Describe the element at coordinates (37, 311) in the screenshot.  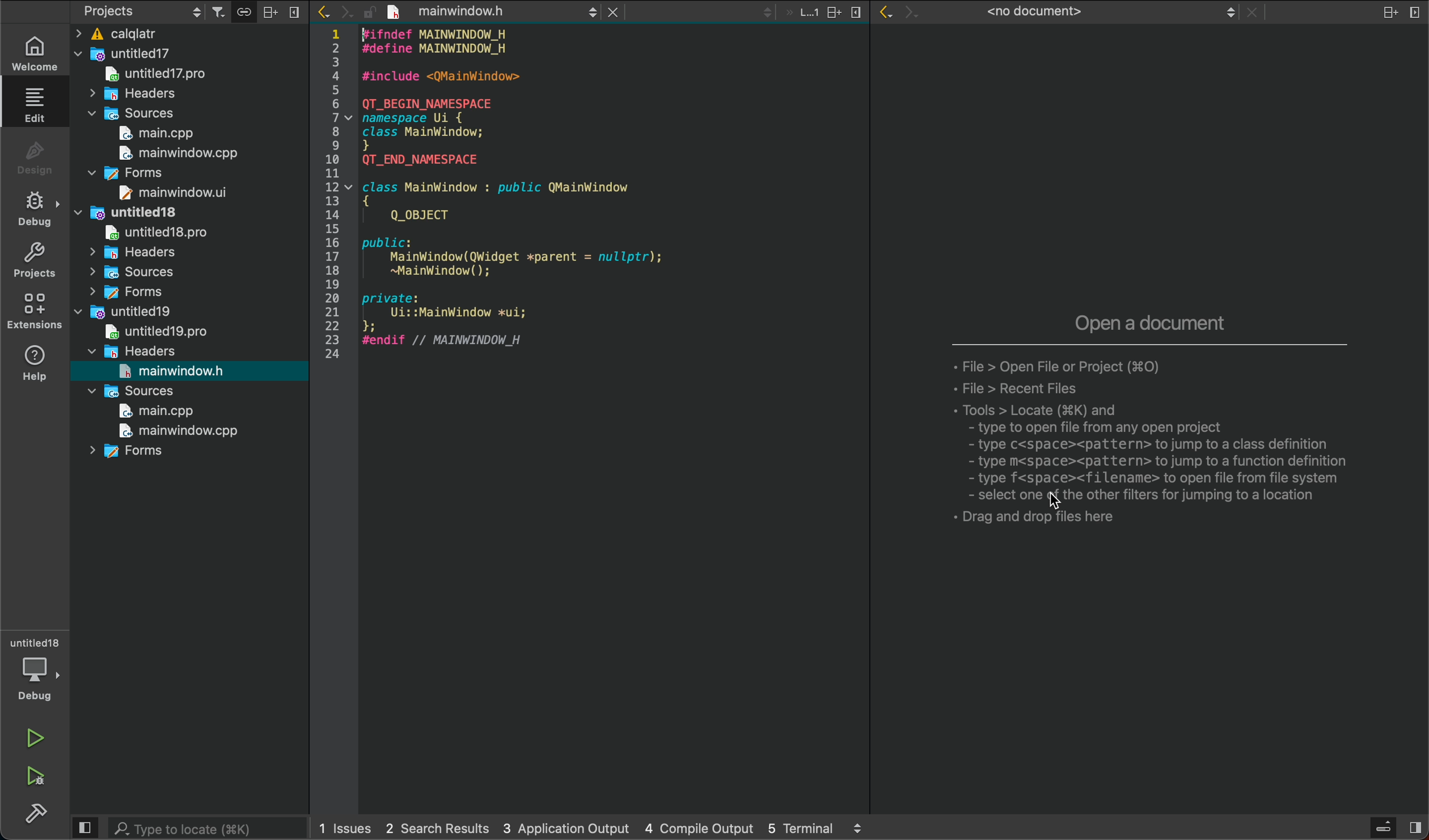
I see `extensions` at that location.